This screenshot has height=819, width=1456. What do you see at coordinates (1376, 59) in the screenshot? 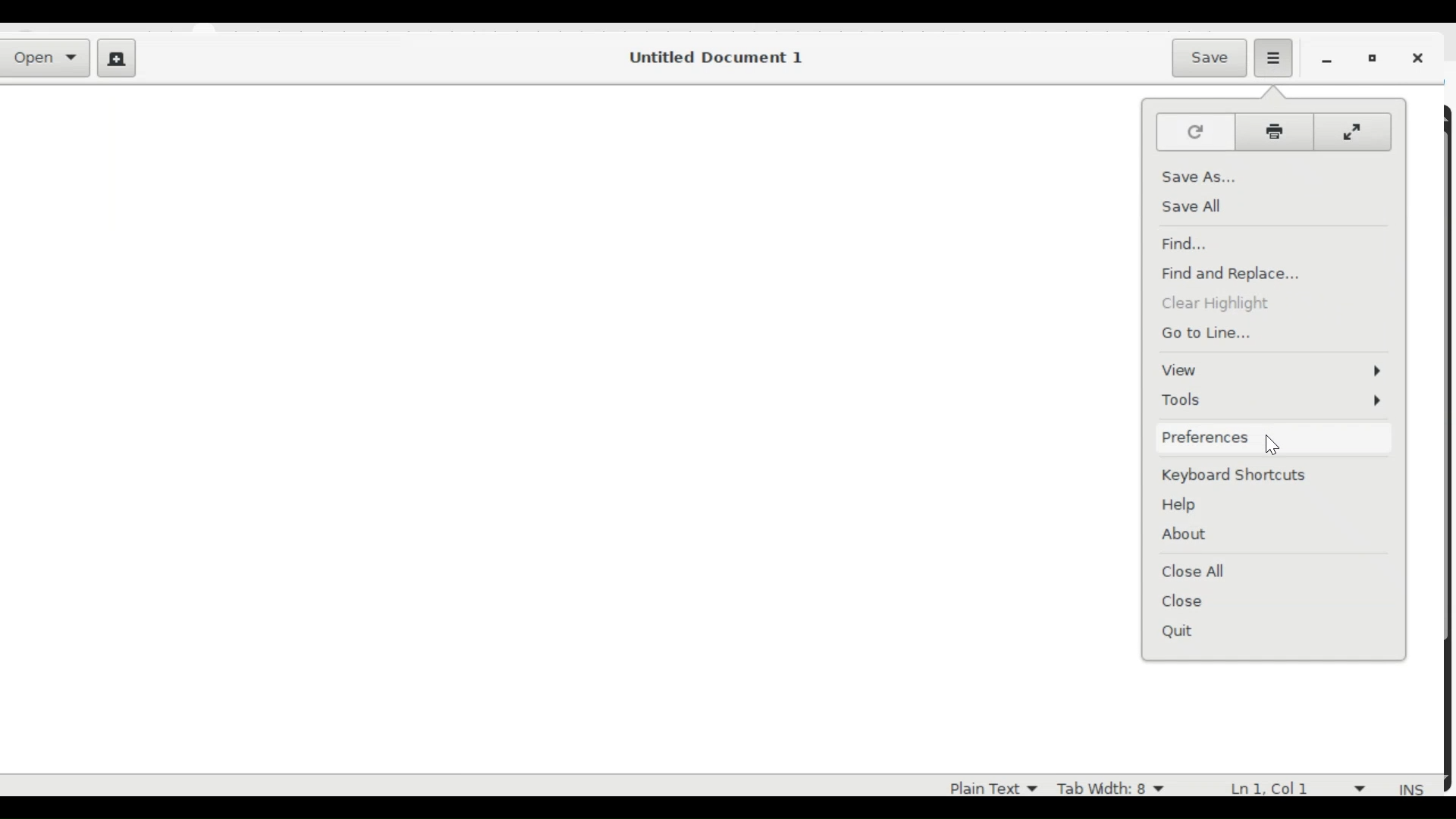
I see `Restore` at bounding box center [1376, 59].